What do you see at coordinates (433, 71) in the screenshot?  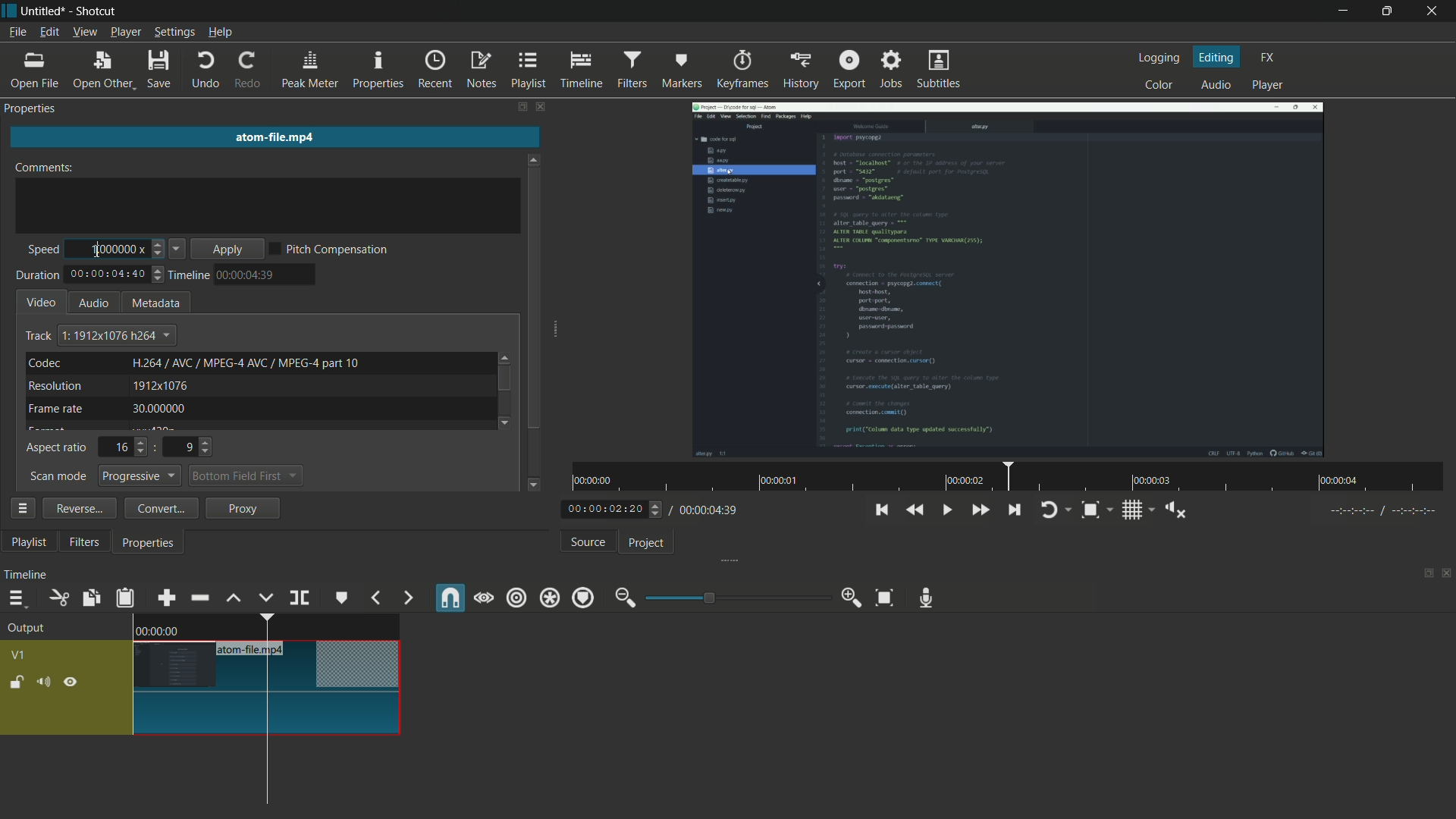 I see `recent` at bounding box center [433, 71].